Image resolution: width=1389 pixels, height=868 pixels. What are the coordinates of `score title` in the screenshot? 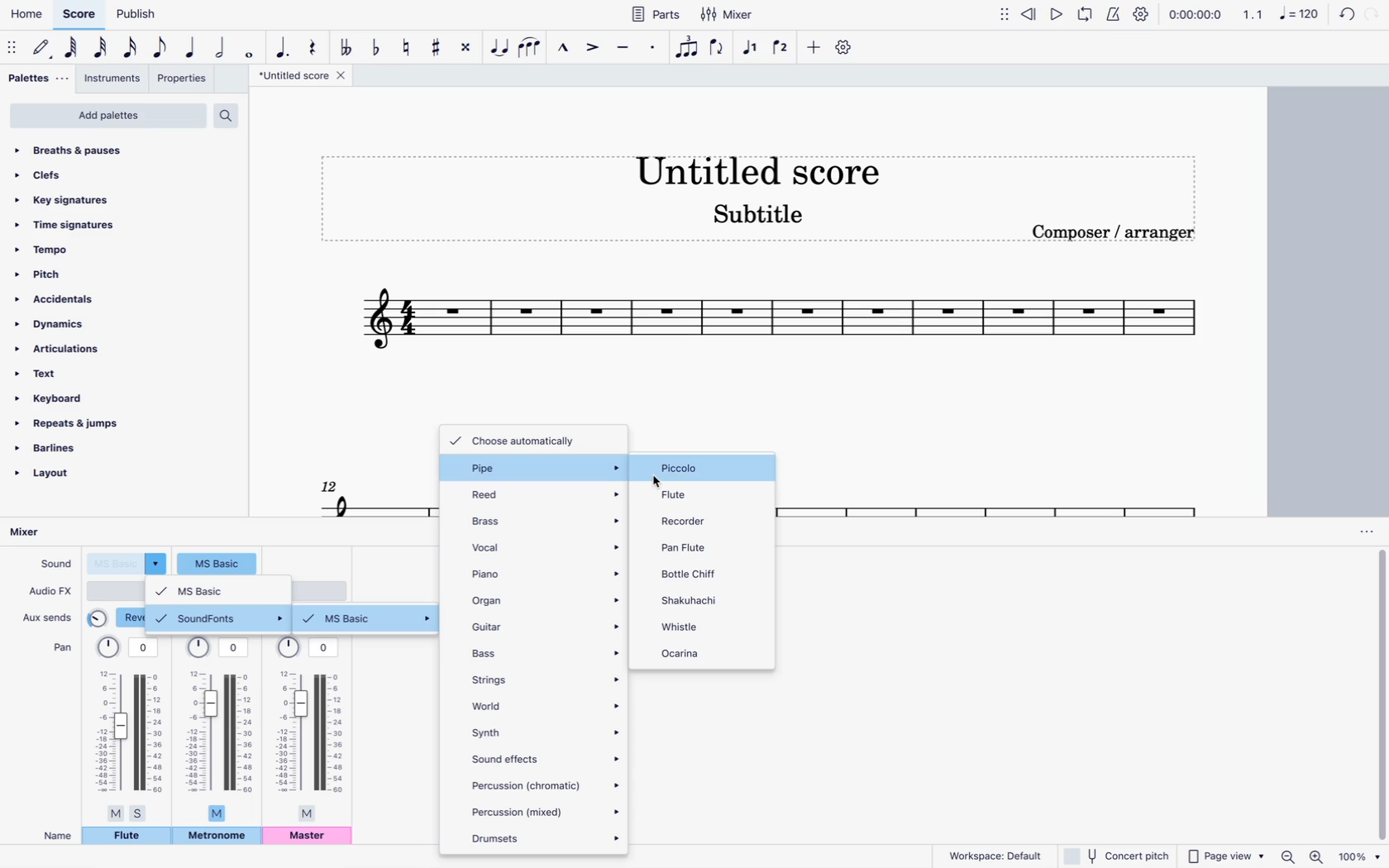 It's located at (756, 167).